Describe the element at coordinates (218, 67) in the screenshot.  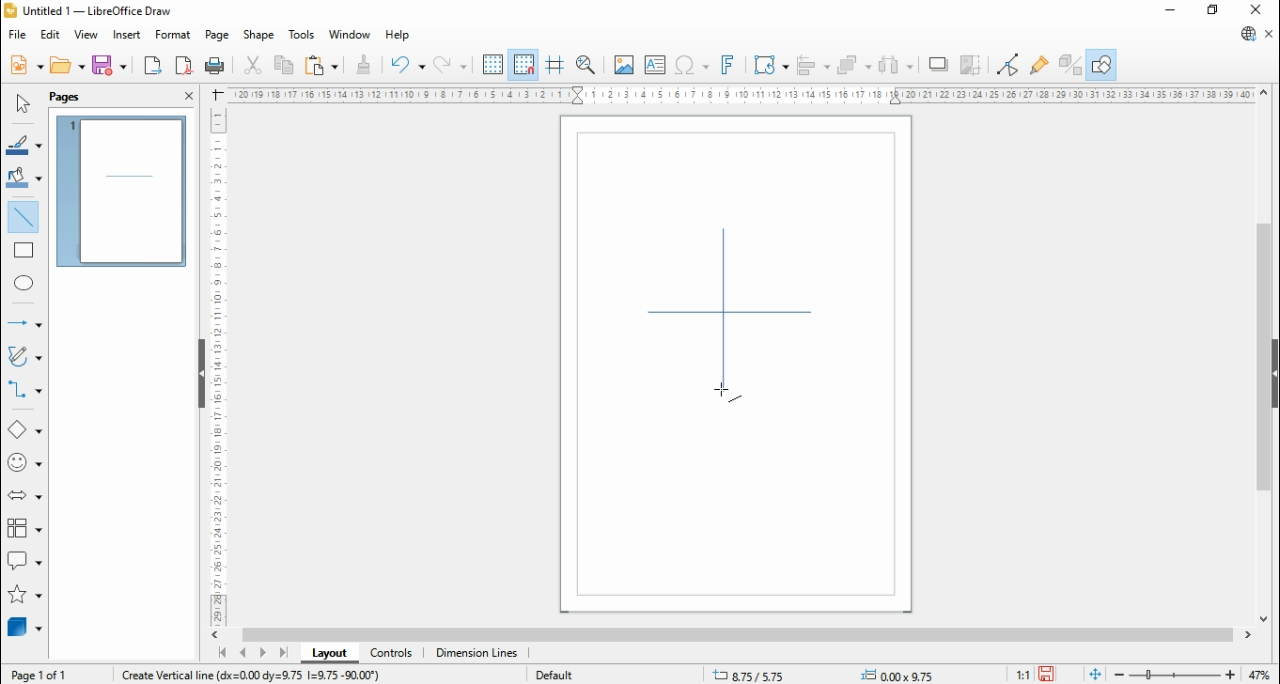
I see `print` at that location.